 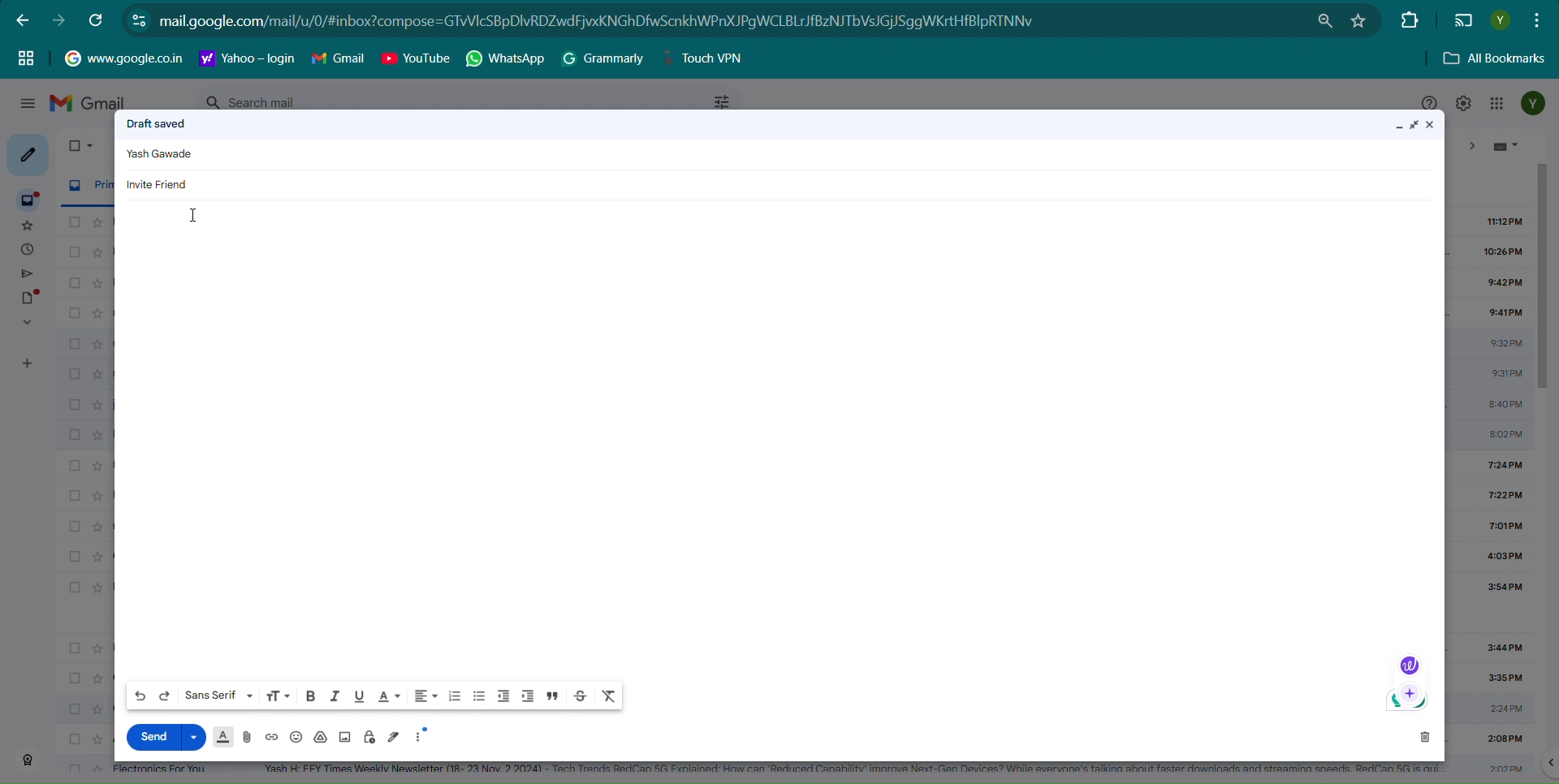 What do you see at coordinates (1408, 665) in the screenshot?
I see `Logo` at bounding box center [1408, 665].